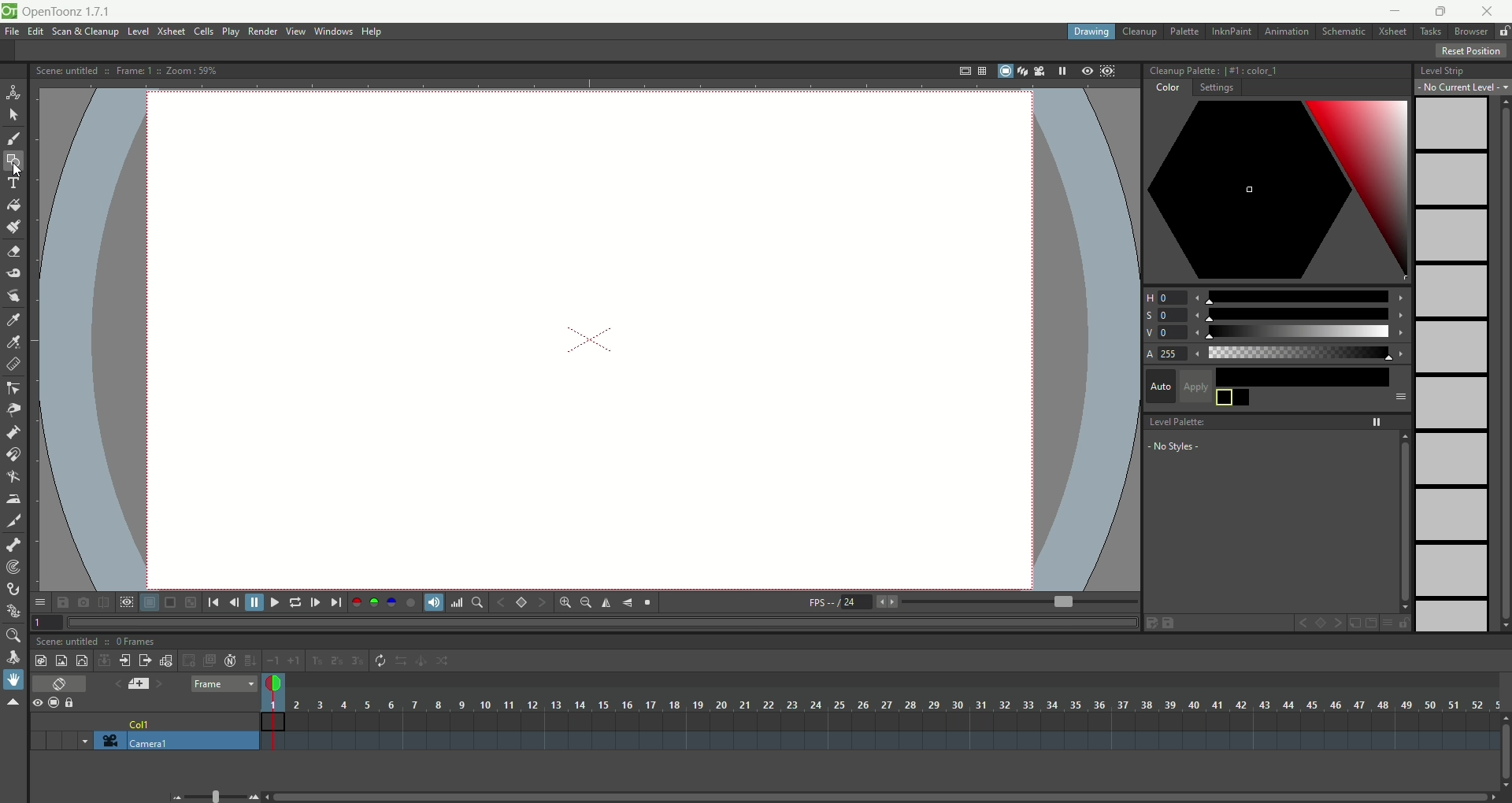 The image size is (1512, 803). I want to click on set the playback frame rate, so click(1062, 602).